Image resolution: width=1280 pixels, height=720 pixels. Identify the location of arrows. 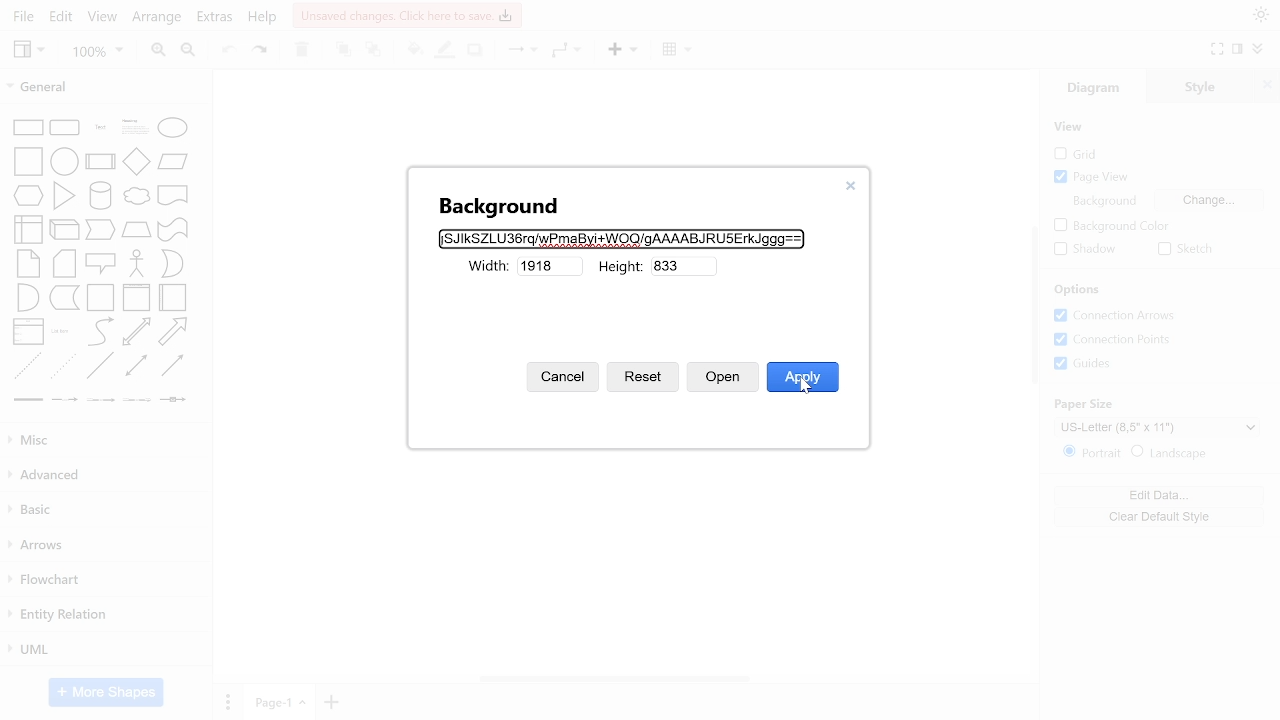
(104, 547).